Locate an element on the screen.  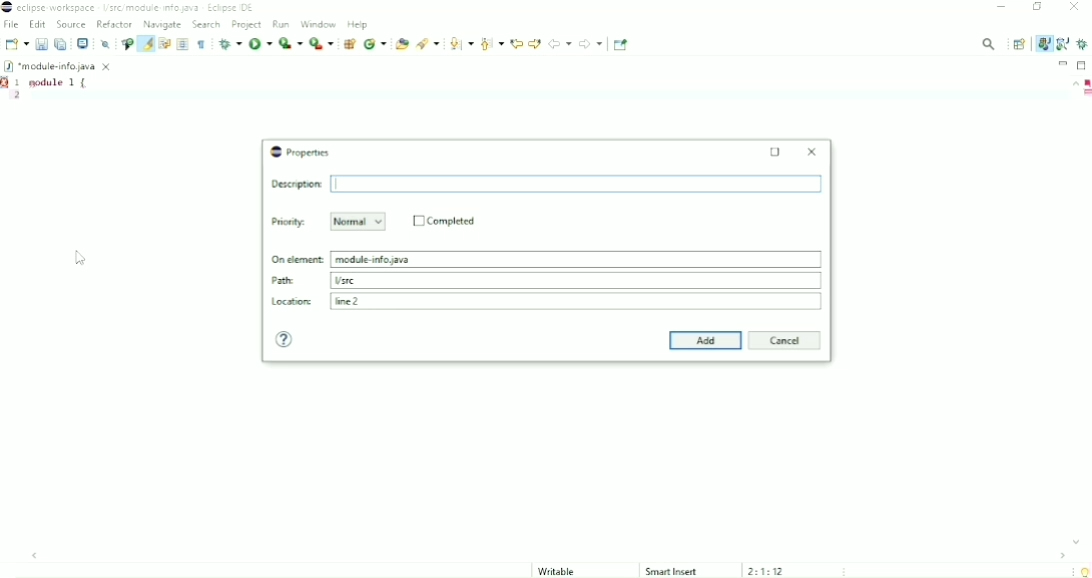
Close is located at coordinates (1076, 8).